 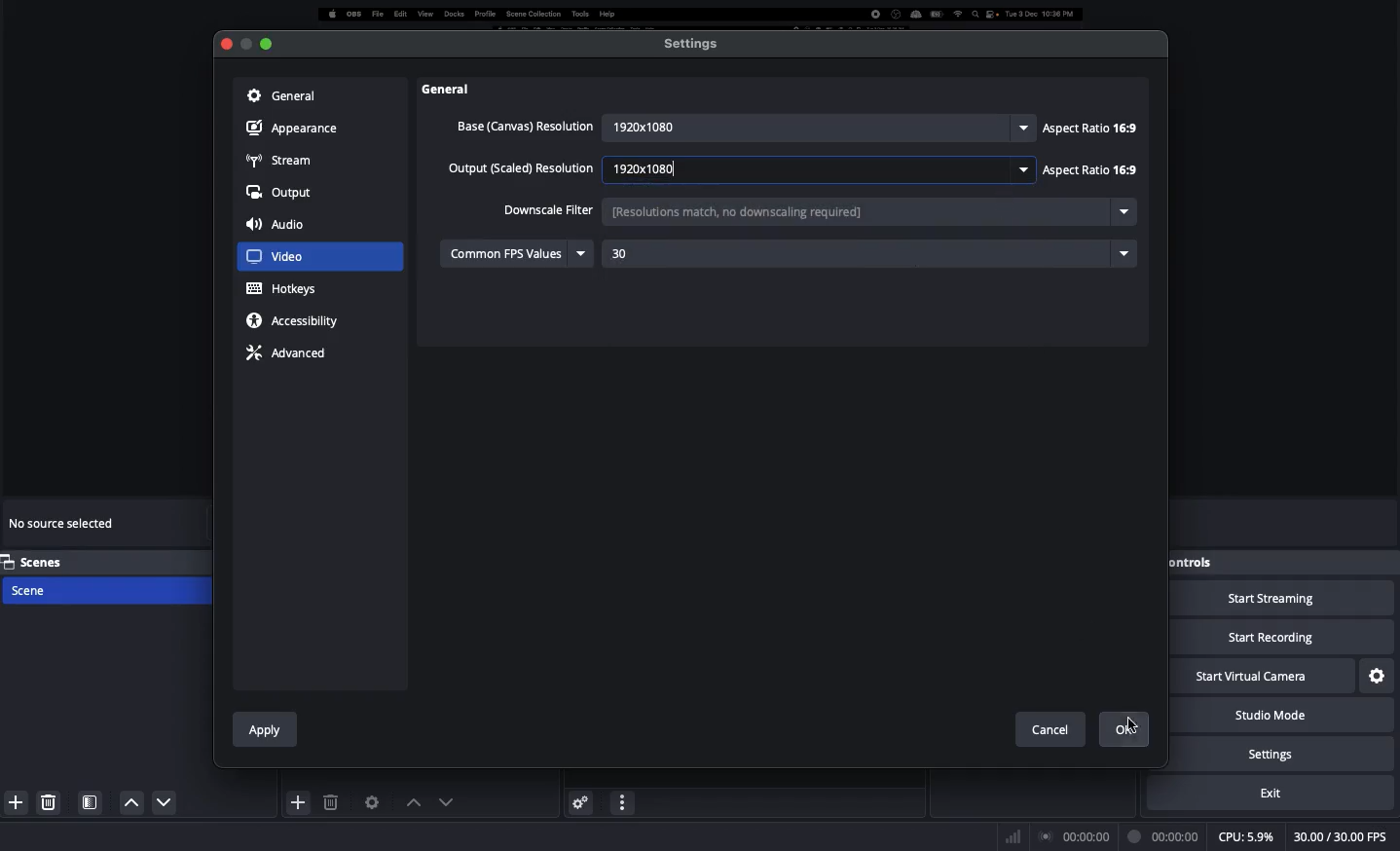 I want to click on w Aspect Ratio 16:9, so click(x=1089, y=129).